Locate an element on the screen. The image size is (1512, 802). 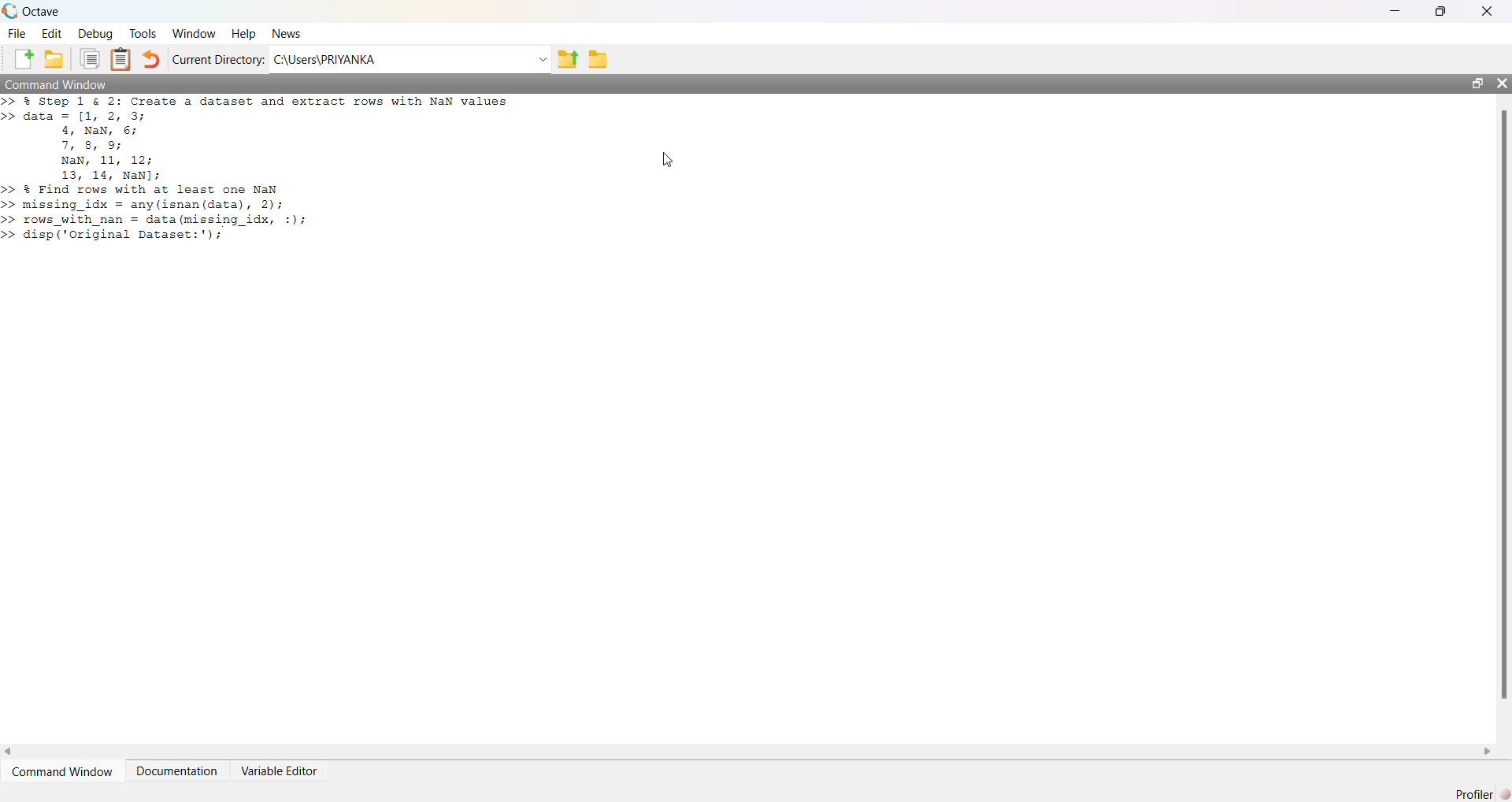
Edit is located at coordinates (52, 34).